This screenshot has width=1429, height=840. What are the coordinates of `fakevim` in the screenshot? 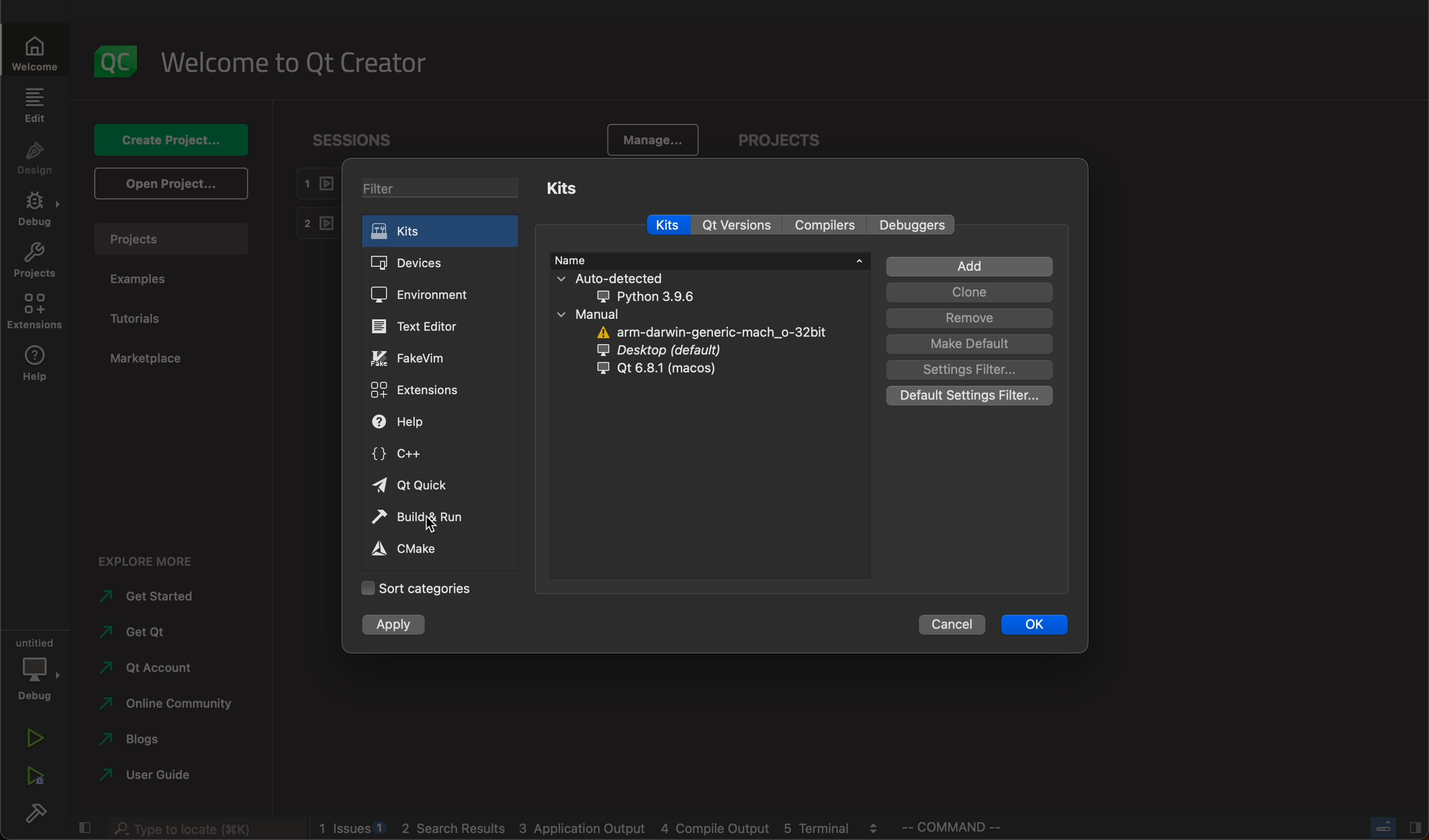 It's located at (426, 359).